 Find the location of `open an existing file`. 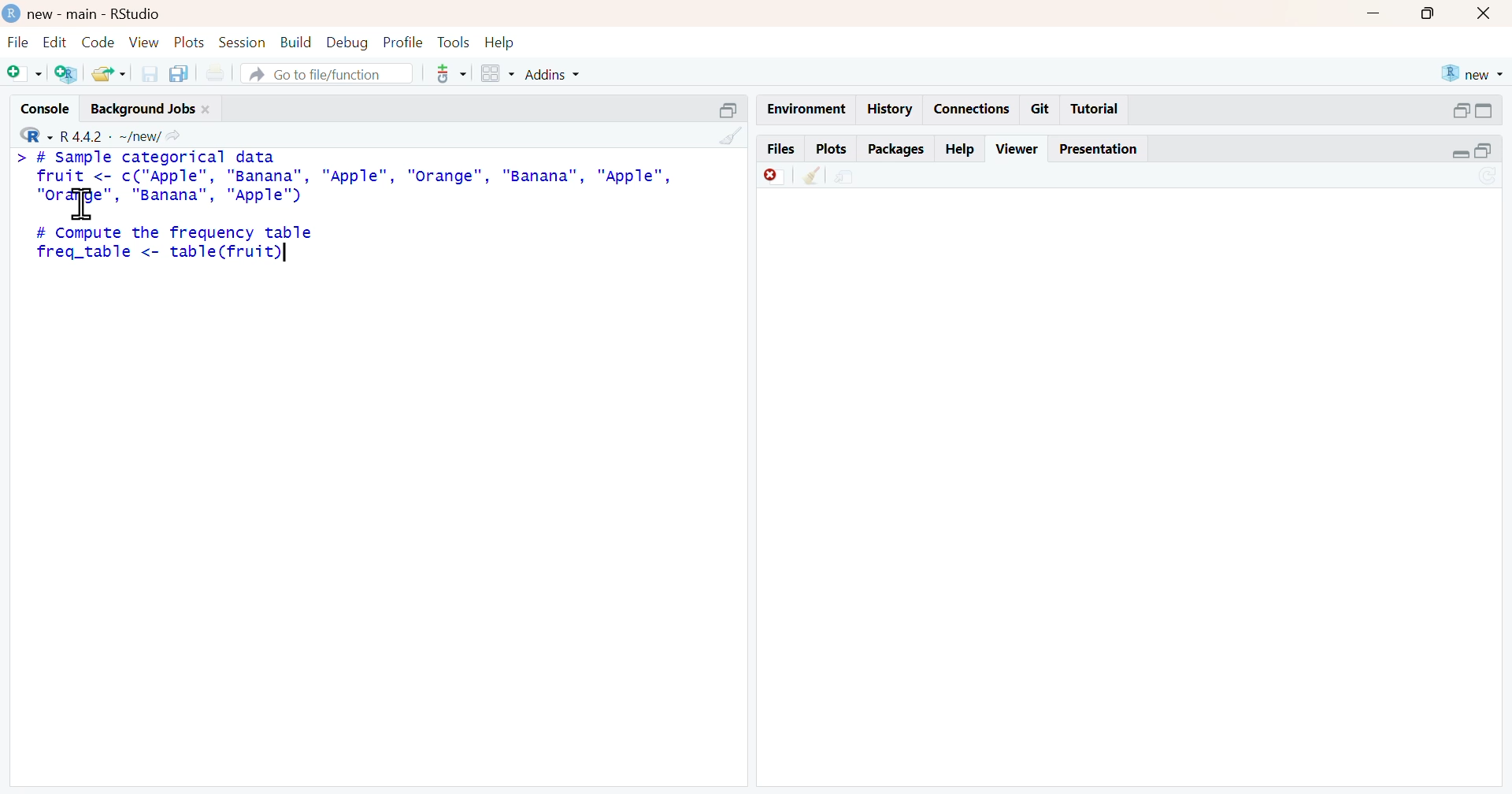

open an existing file is located at coordinates (108, 74).